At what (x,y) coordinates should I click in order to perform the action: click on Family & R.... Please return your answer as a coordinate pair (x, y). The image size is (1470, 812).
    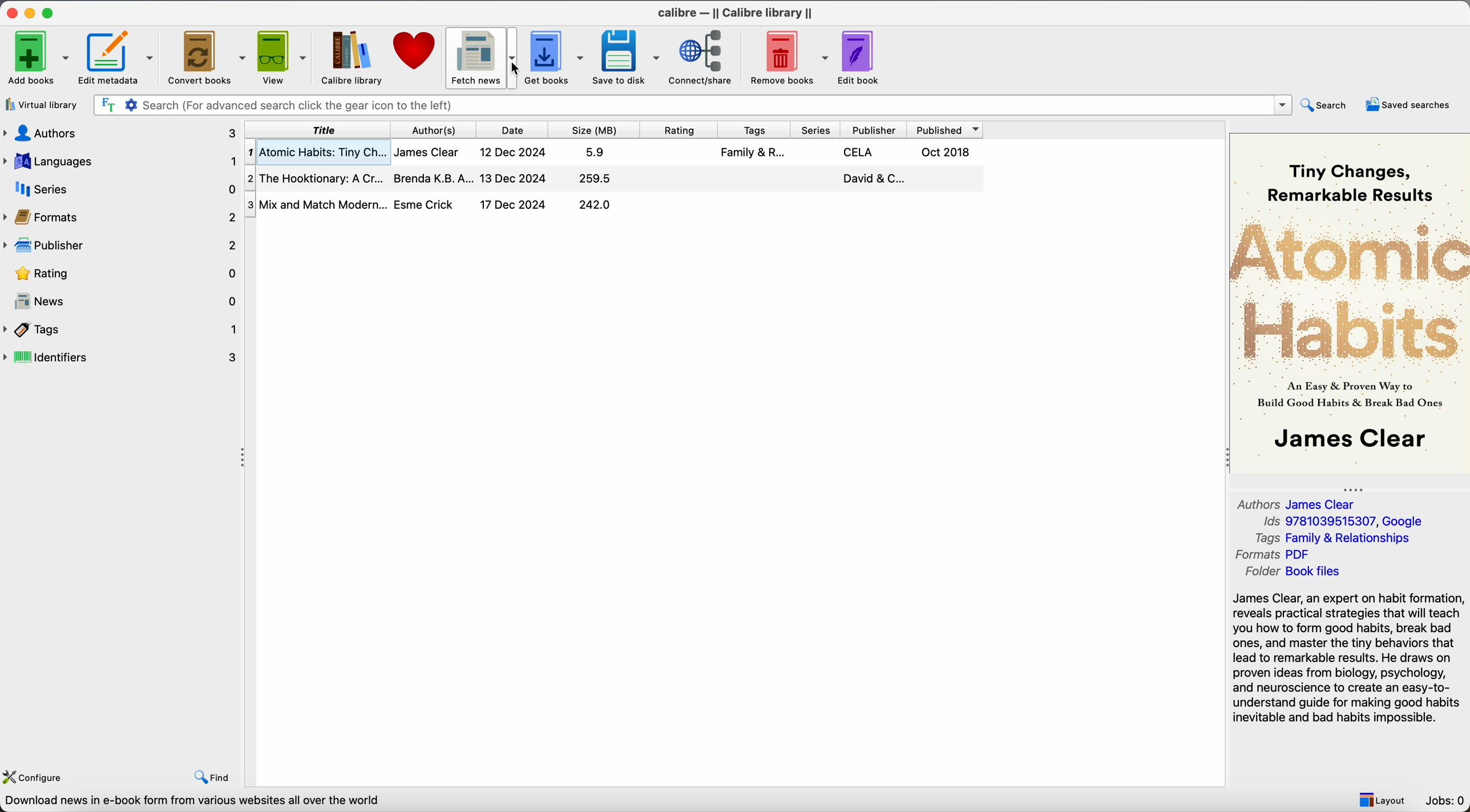
    Looking at the image, I should click on (752, 152).